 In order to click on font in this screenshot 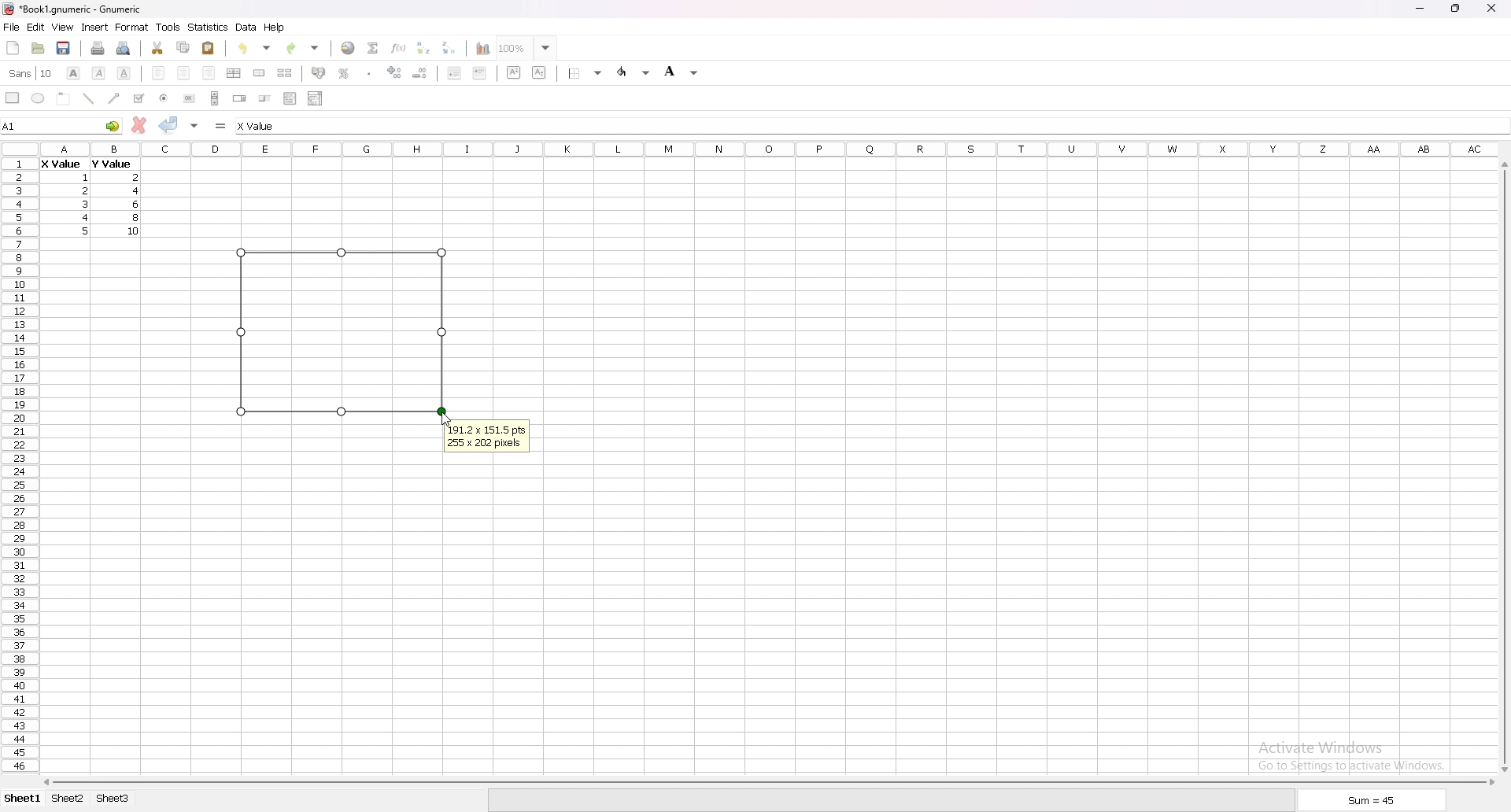, I will do `click(31, 73)`.